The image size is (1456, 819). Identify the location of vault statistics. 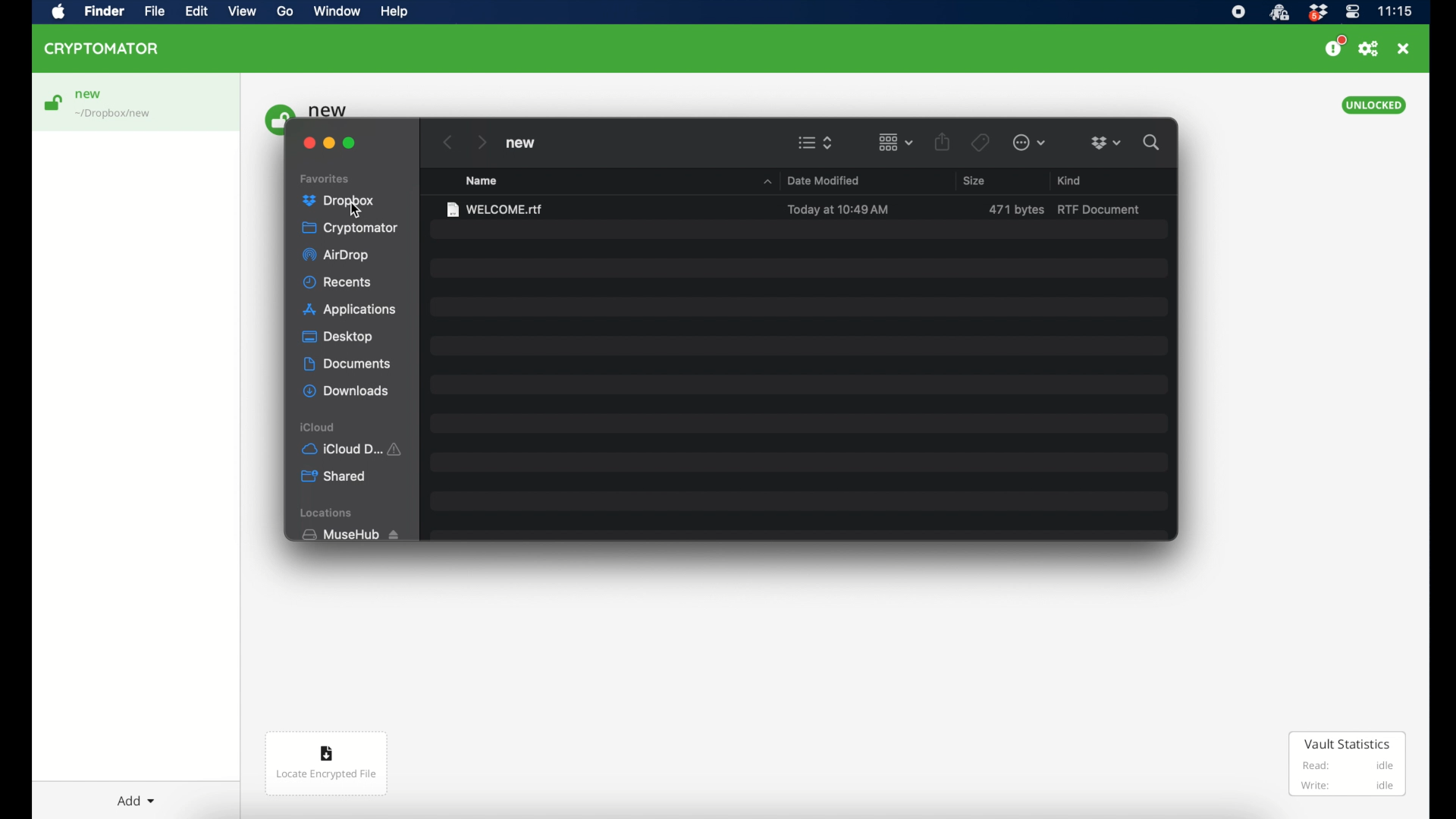
(1348, 764).